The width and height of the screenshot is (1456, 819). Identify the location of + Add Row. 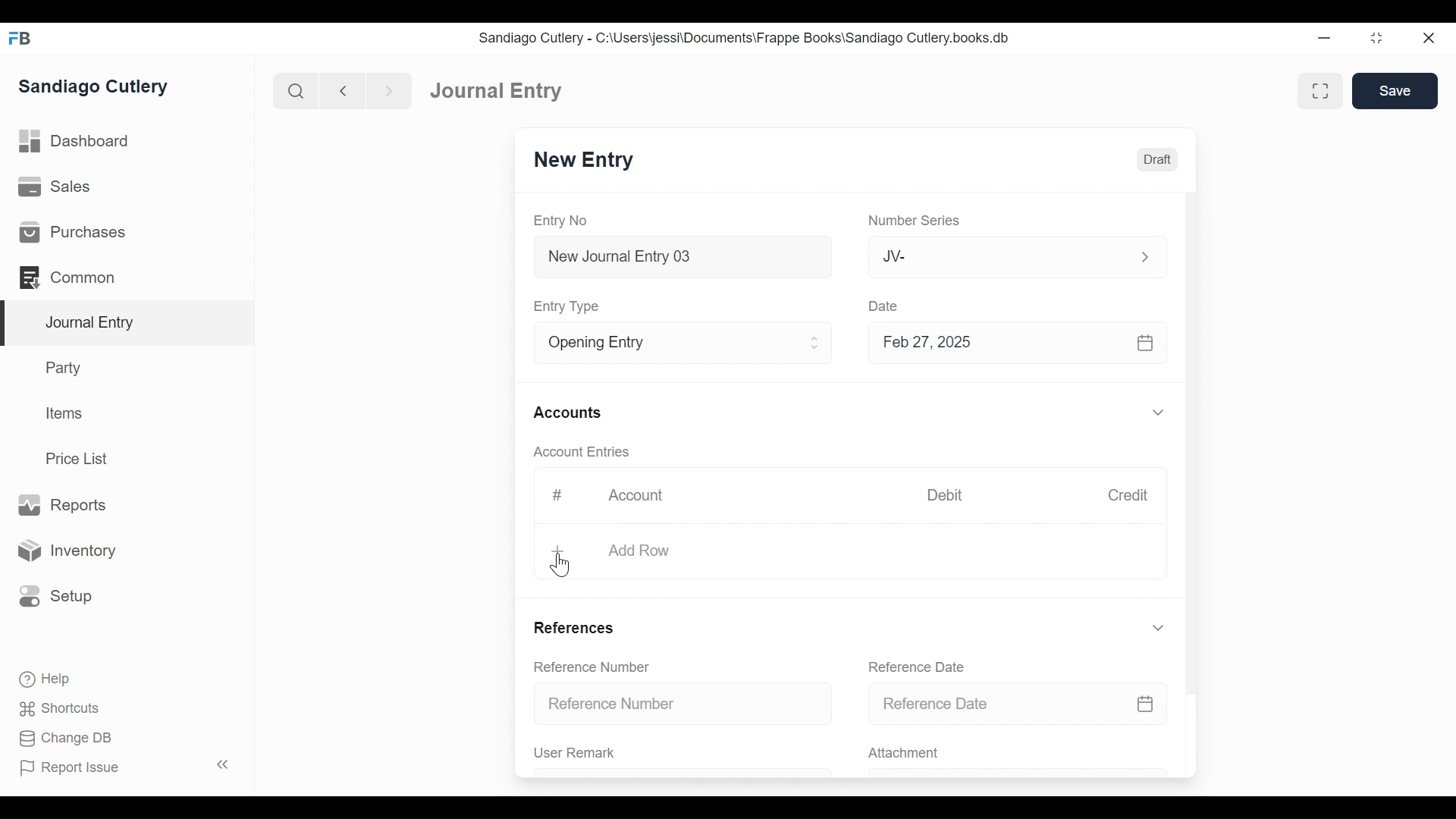
(624, 551).